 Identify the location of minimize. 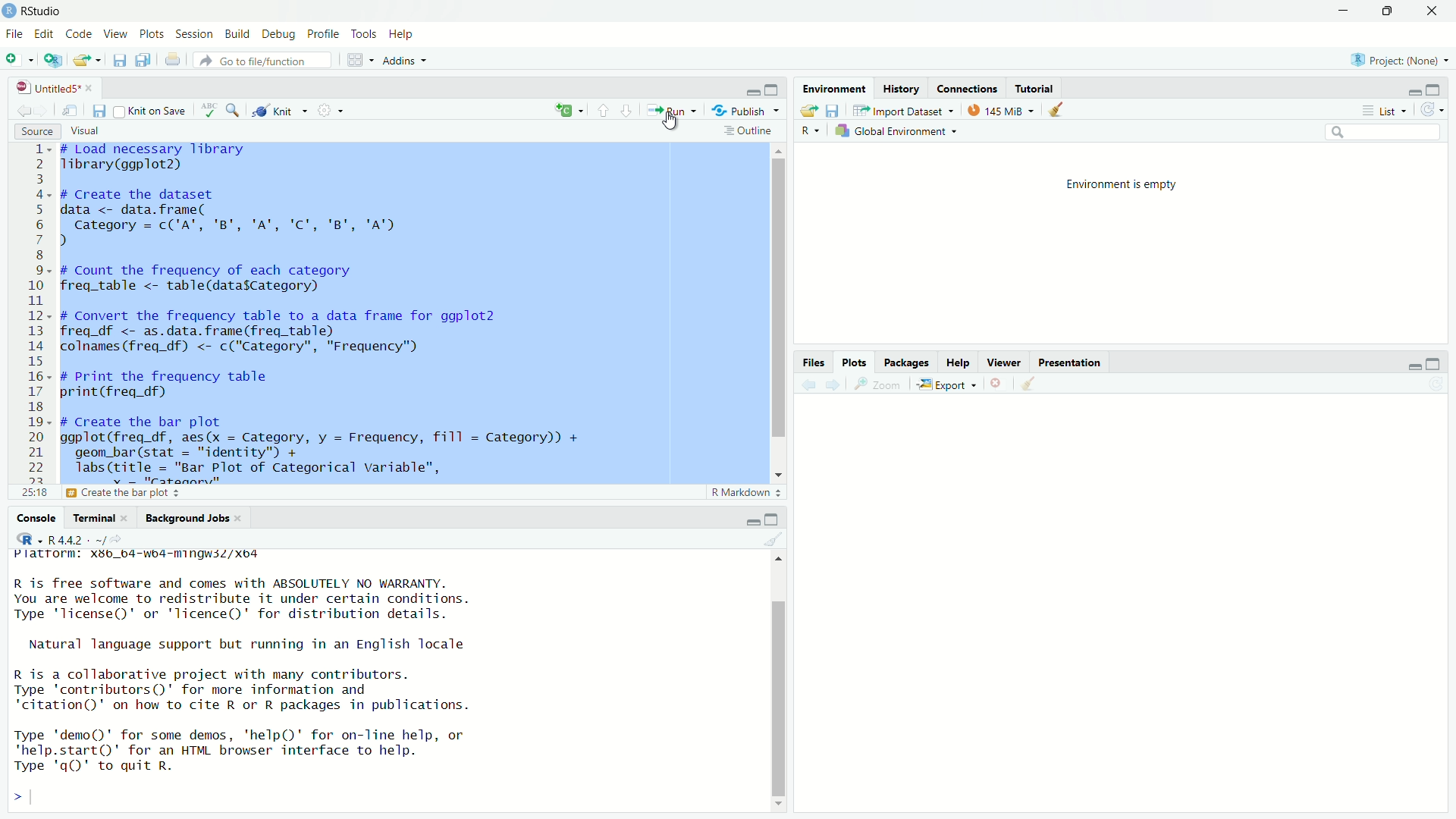
(1413, 91).